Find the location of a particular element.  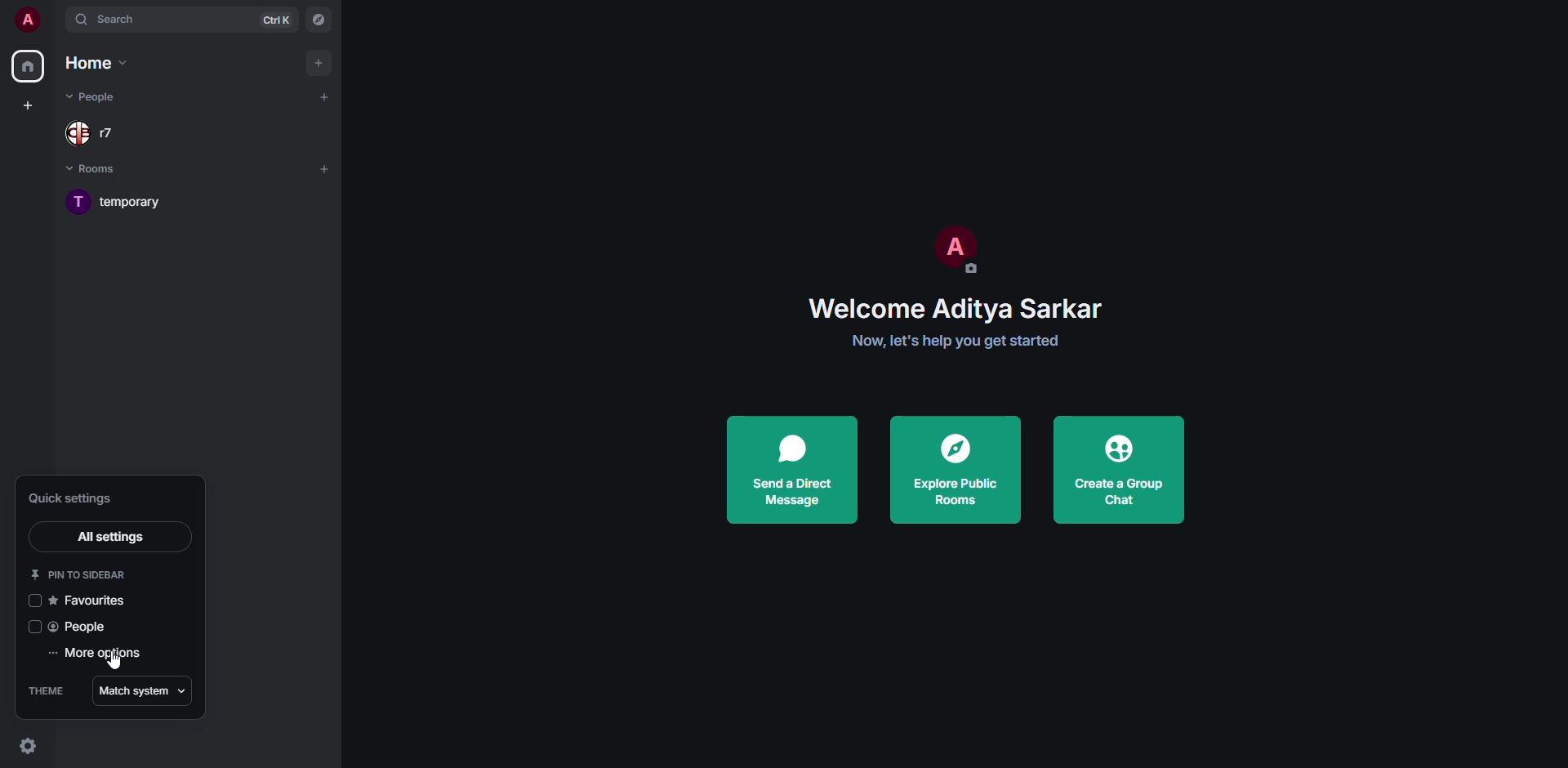

theme is located at coordinates (47, 691).